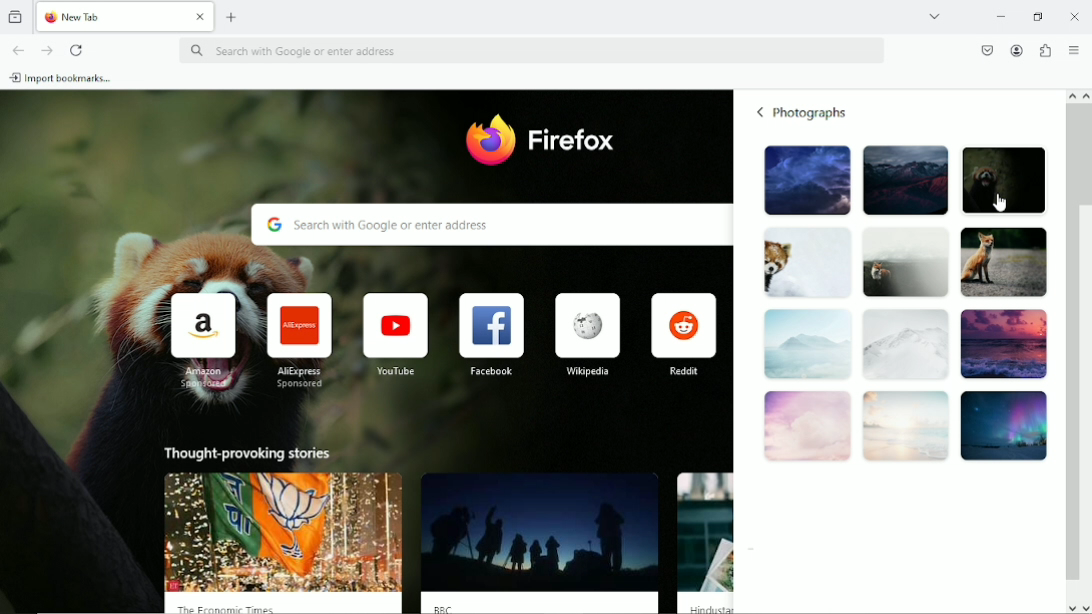 The width and height of the screenshot is (1092, 614). Describe the element at coordinates (1040, 15) in the screenshot. I see `restore down` at that location.